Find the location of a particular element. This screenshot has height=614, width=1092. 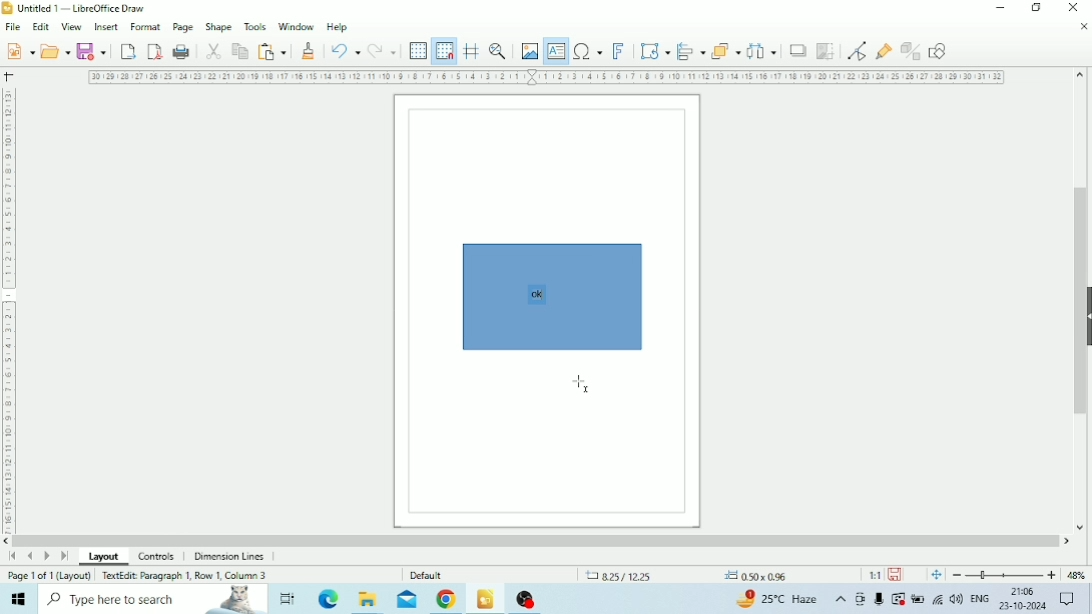

Task View is located at coordinates (286, 599).